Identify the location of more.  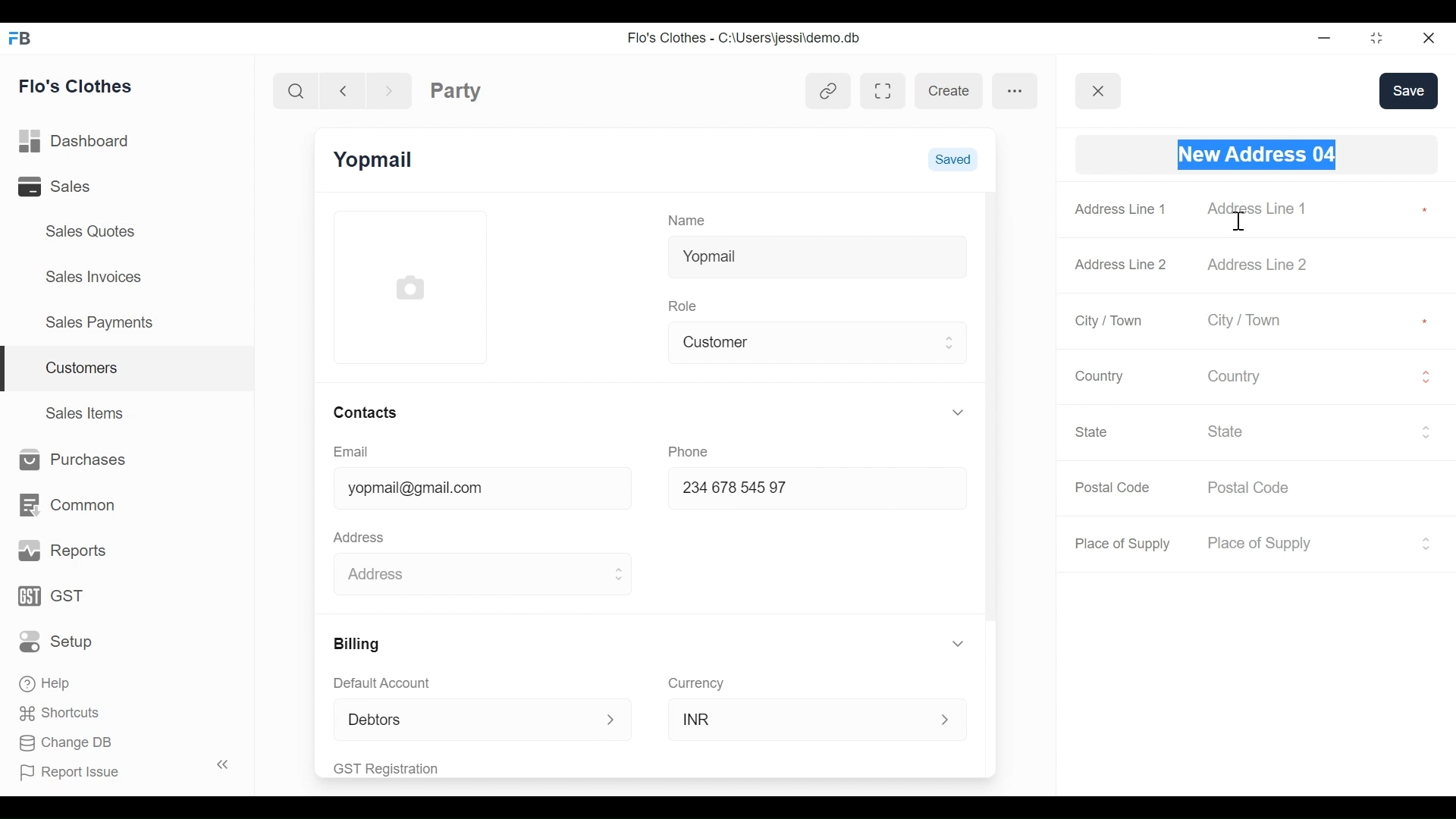
(1015, 89).